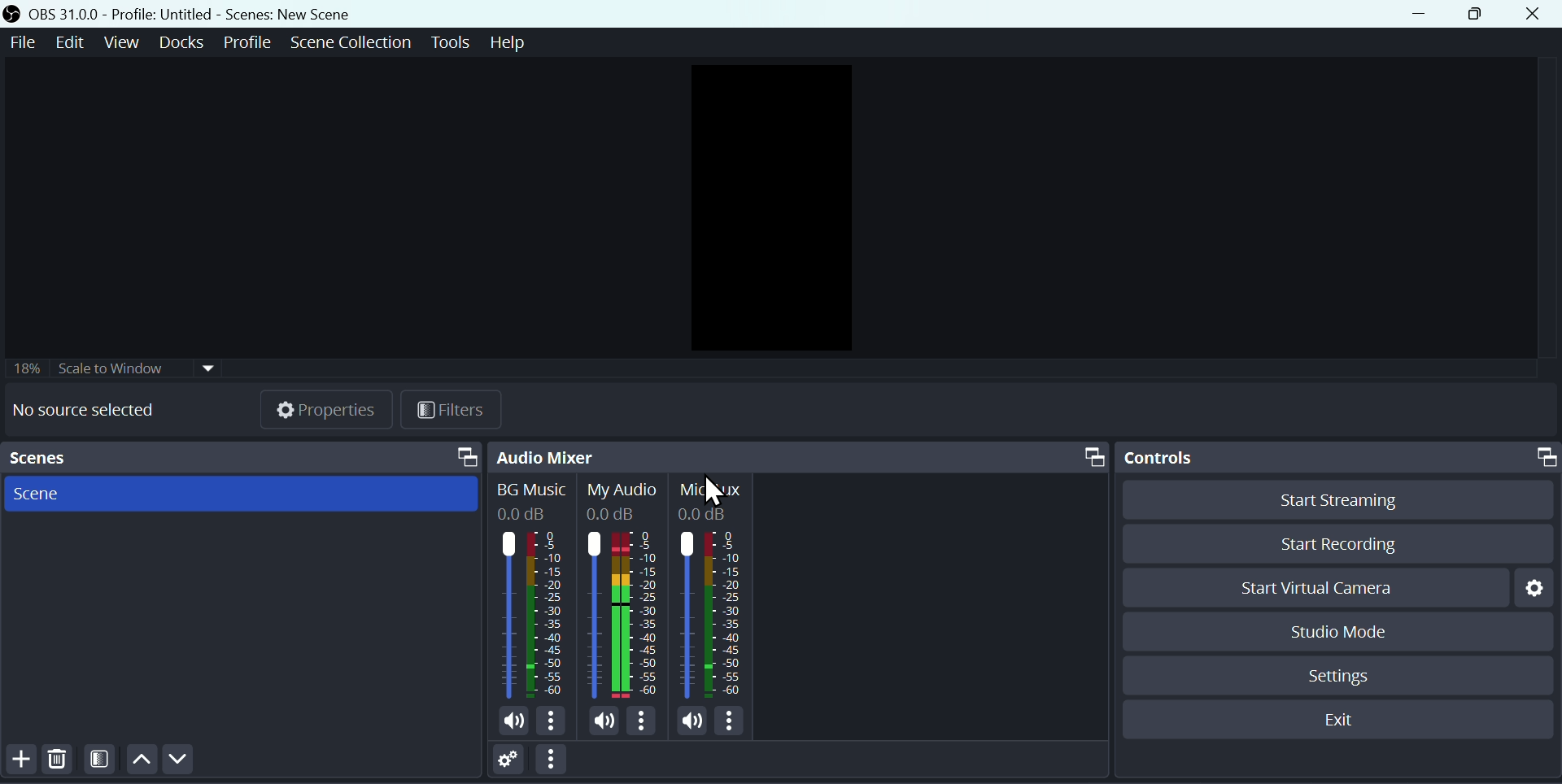  Describe the element at coordinates (1341, 717) in the screenshot. I see `Exit` at that location.